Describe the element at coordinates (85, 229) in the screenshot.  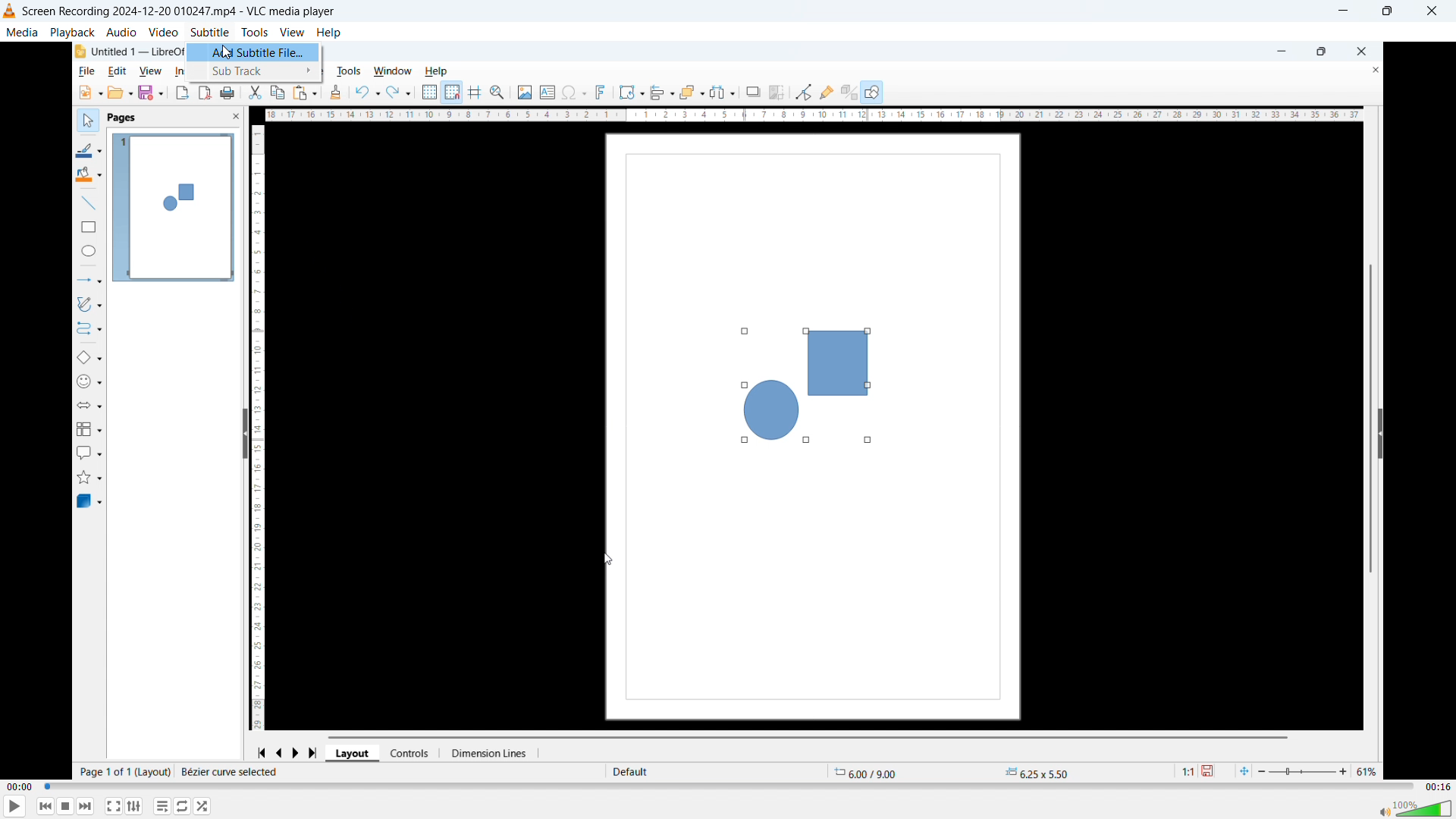
I see `rectangle` at that location.